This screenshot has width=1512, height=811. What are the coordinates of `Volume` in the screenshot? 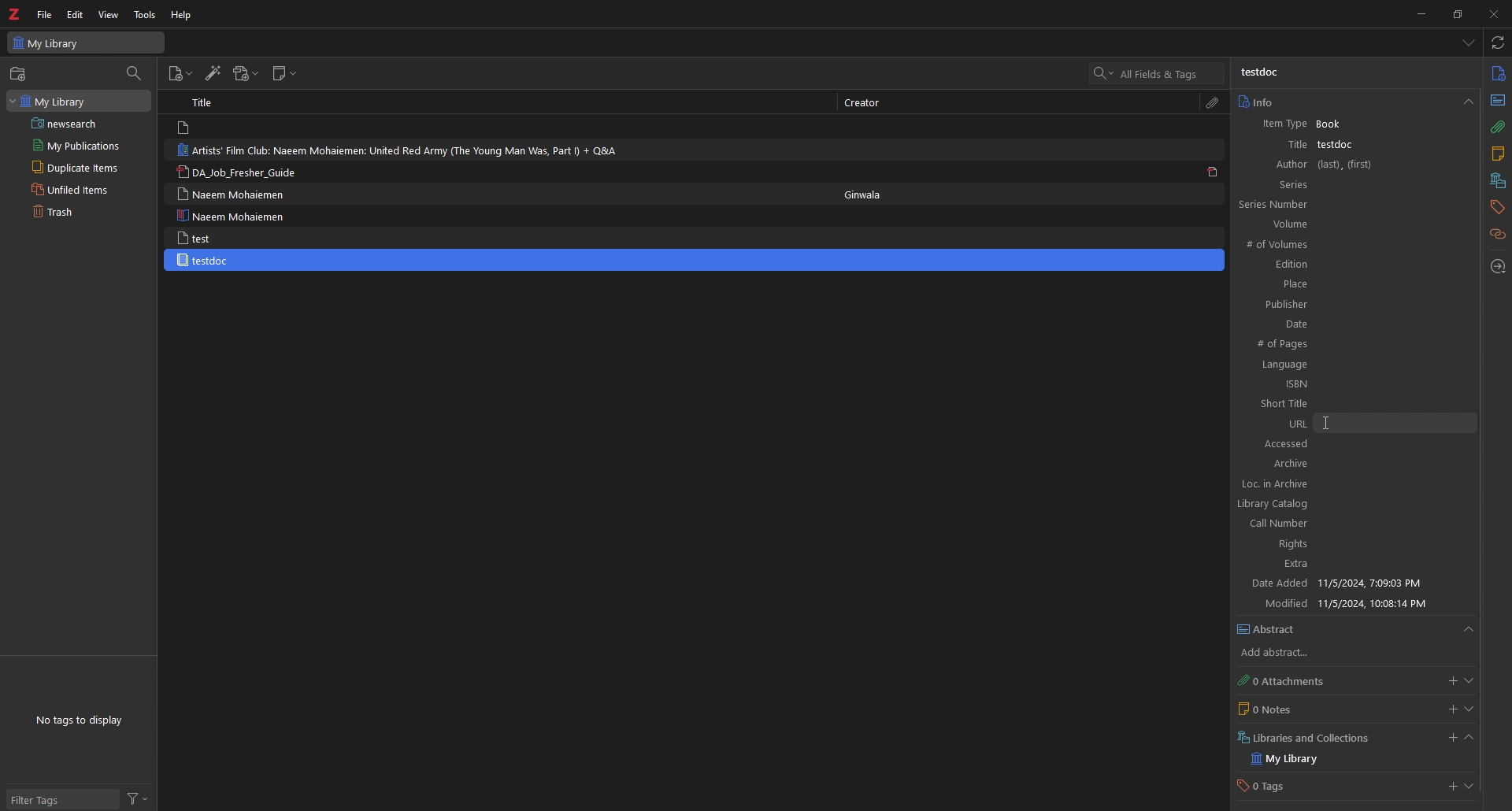 It's located at (1322, 224).